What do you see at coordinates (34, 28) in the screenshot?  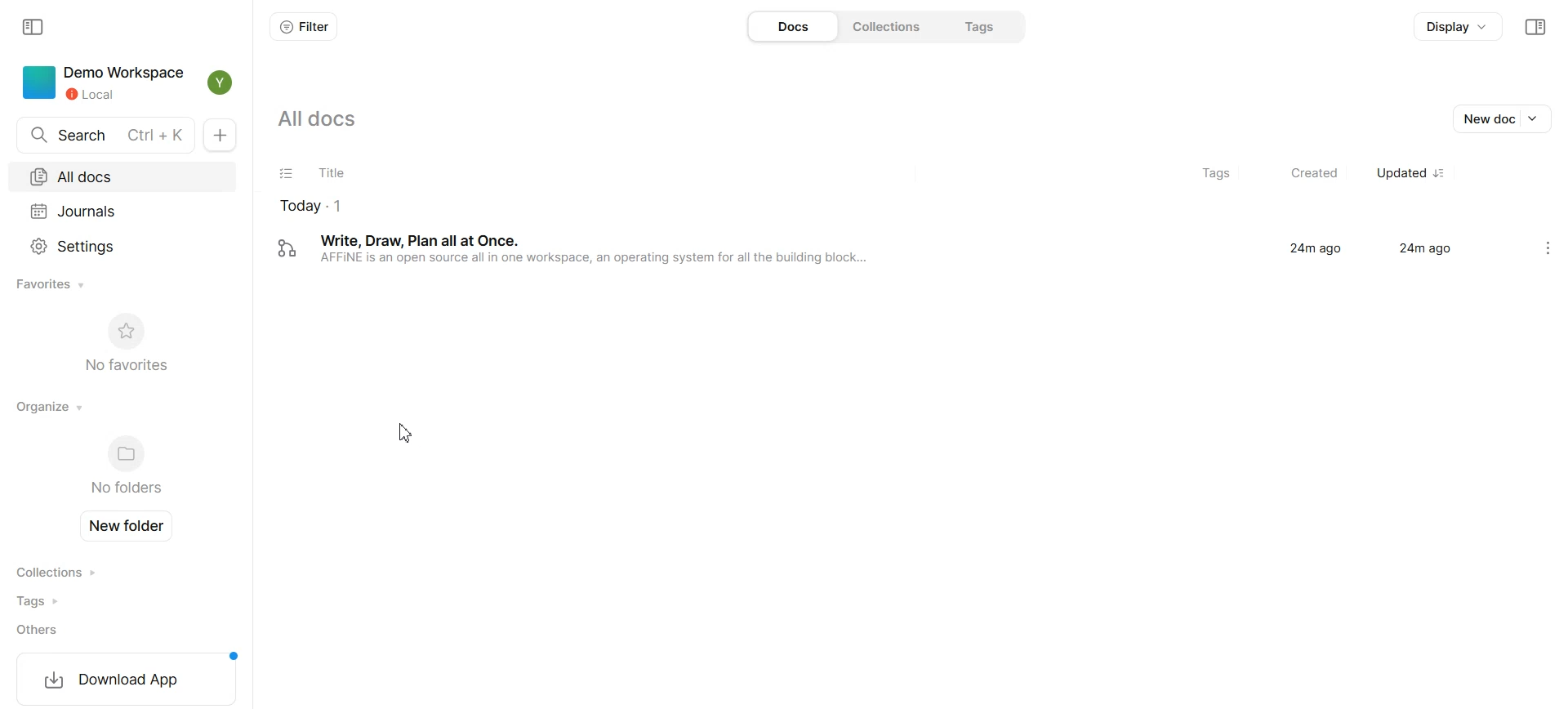 I see `Collapse slide bar` at bounding box center [34, 28].